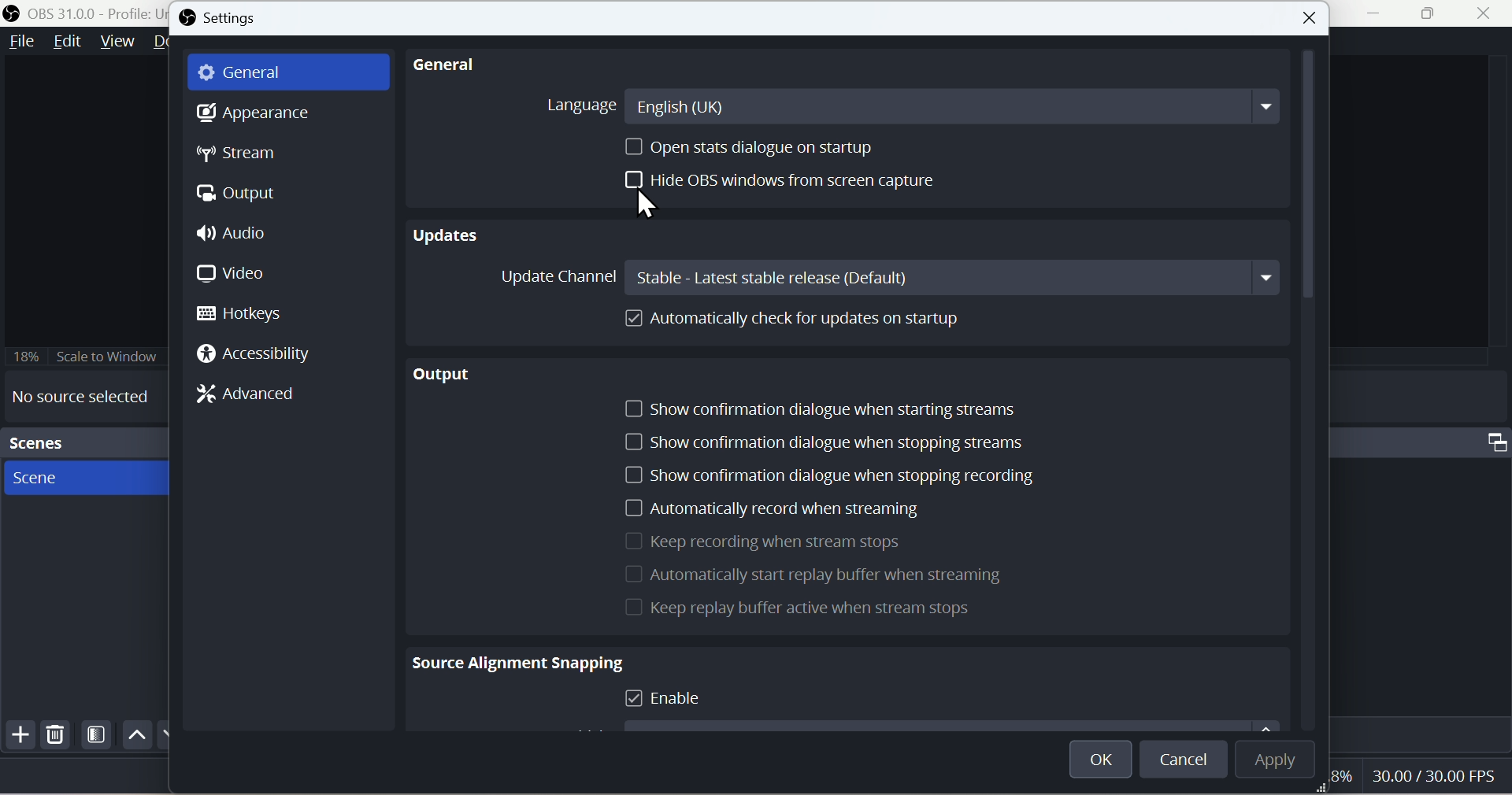 The height and width of the screenshot is (795, 1512). What do you see at coordinates (438, 374) in the screenshot?
I see `output` at bounding box center [438, 374].